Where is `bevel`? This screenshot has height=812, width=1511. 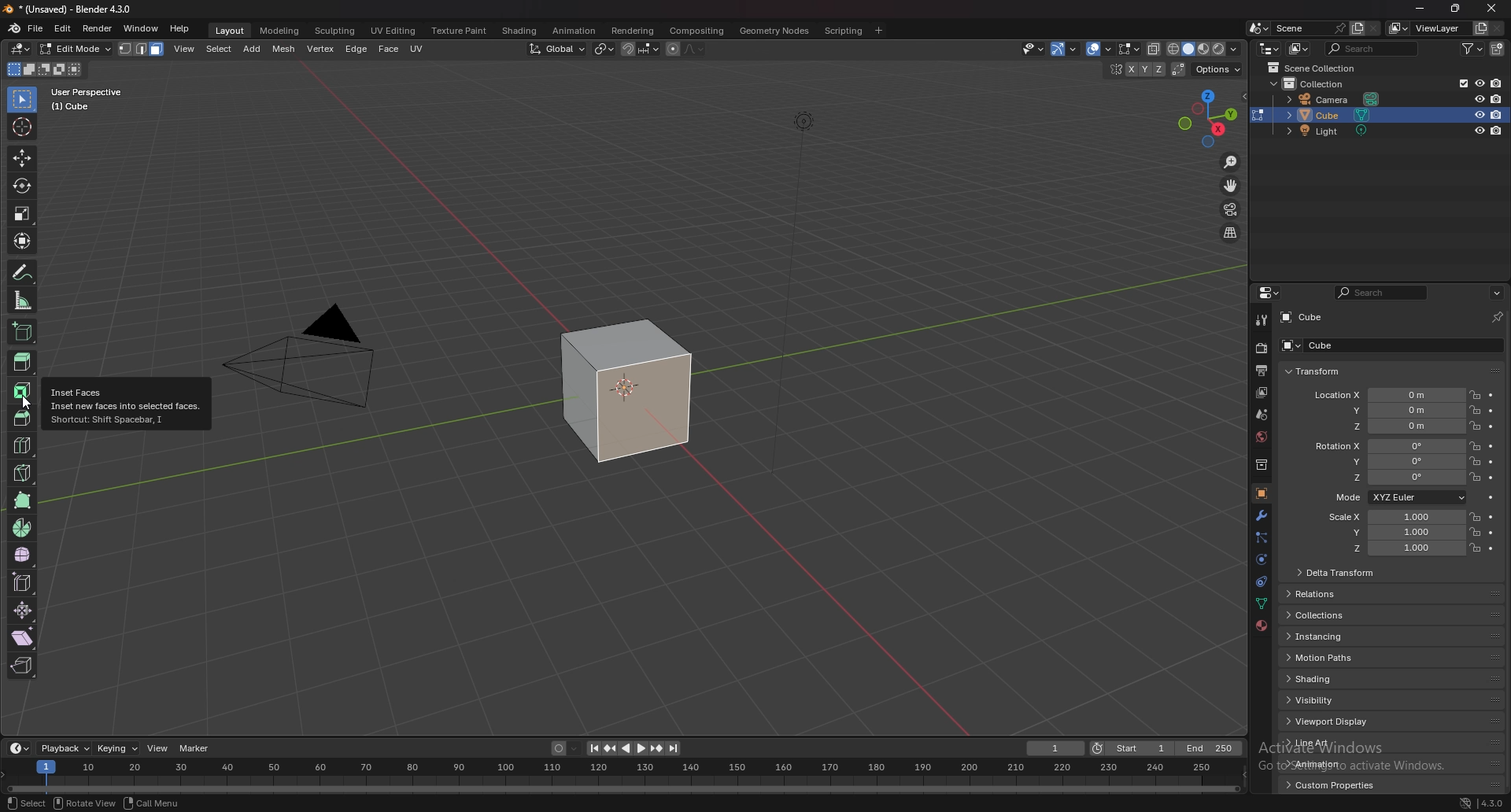 bevel is located at coordinates (19, 416).